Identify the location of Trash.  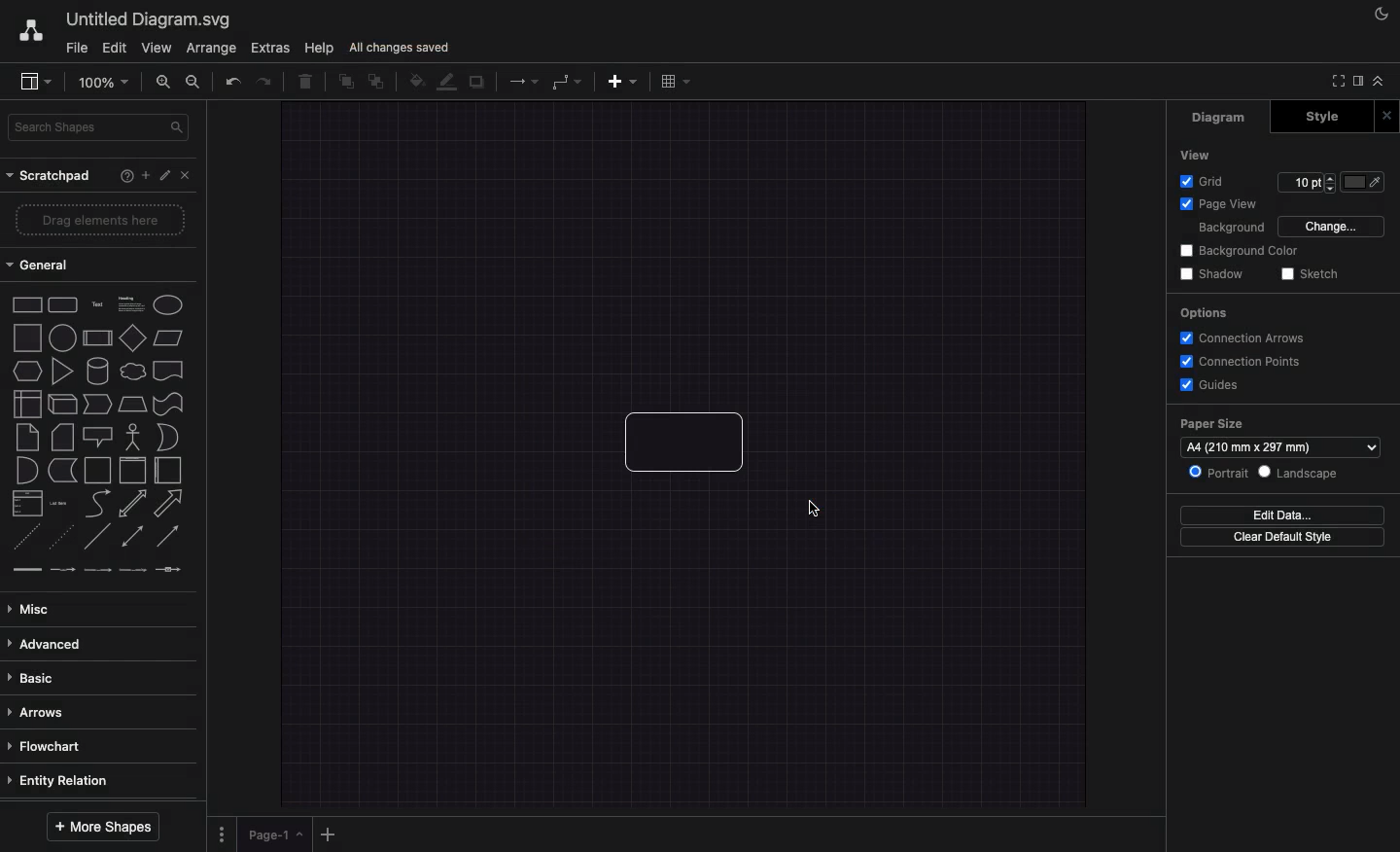
(305, 83).